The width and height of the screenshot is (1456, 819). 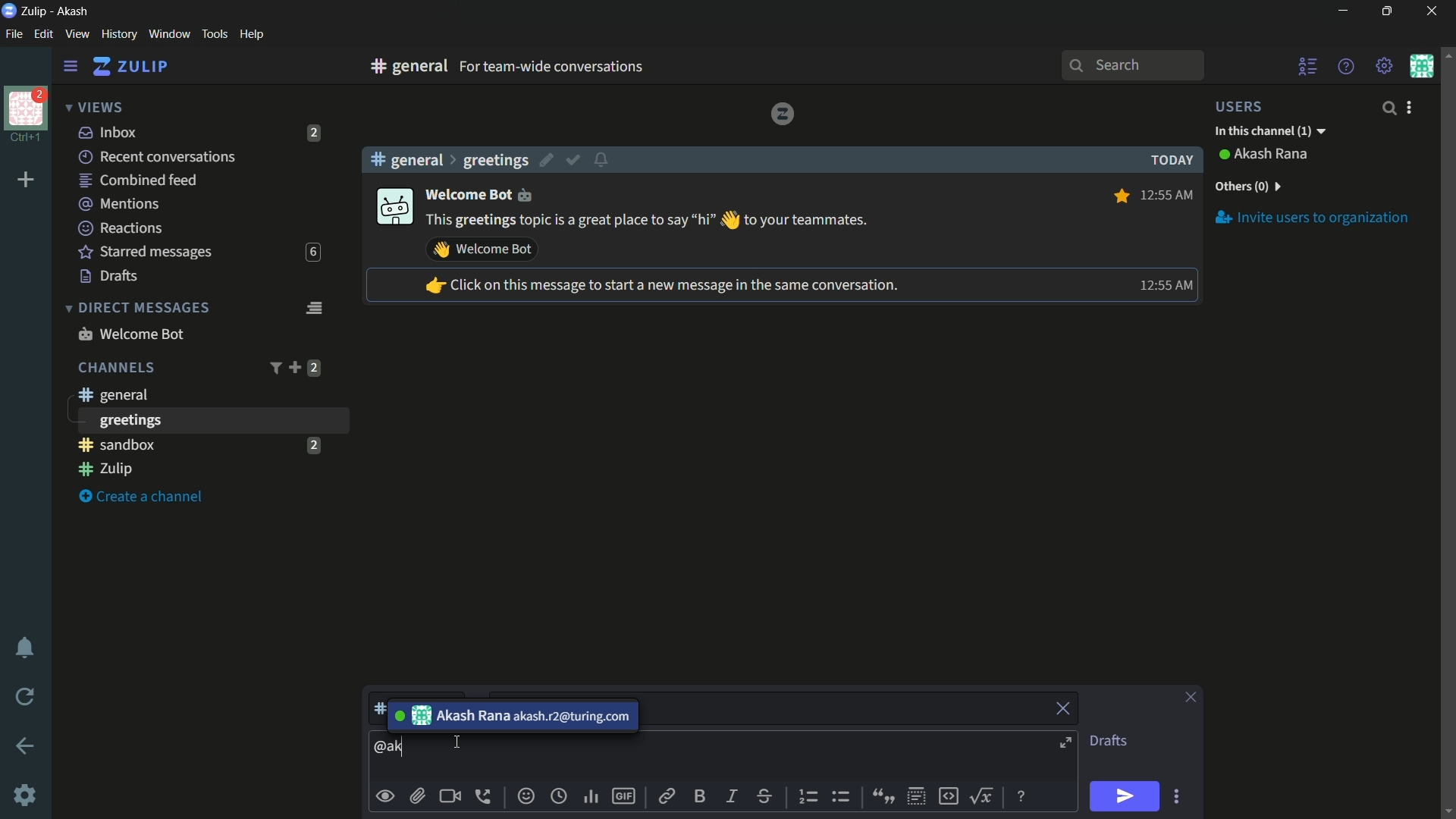 What do you see at coordinates (765, 798) in the screenshot?
I see `strikethrough` at bounding box center [765, 798].